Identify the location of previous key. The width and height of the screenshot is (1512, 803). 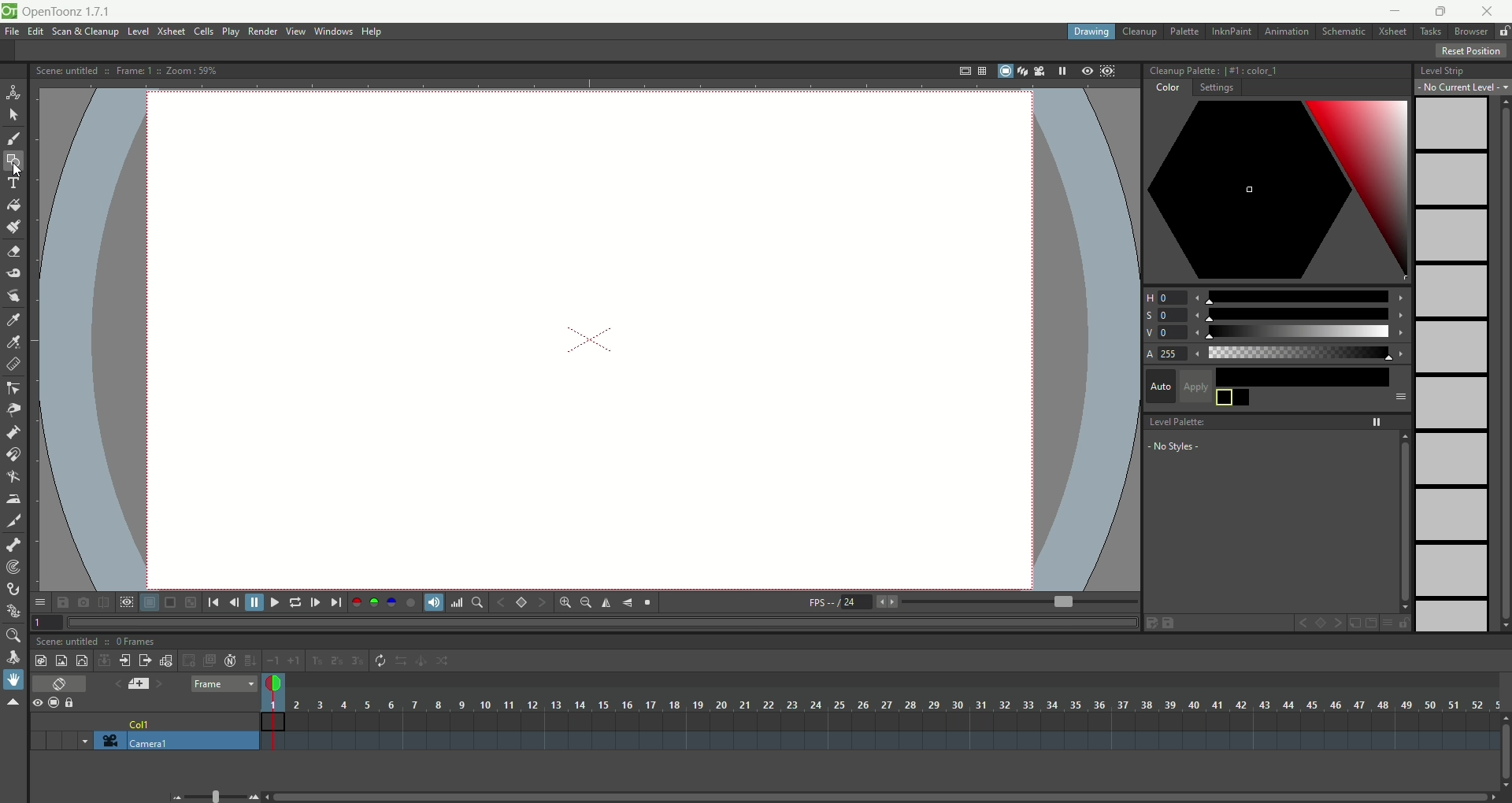
(502, 602).